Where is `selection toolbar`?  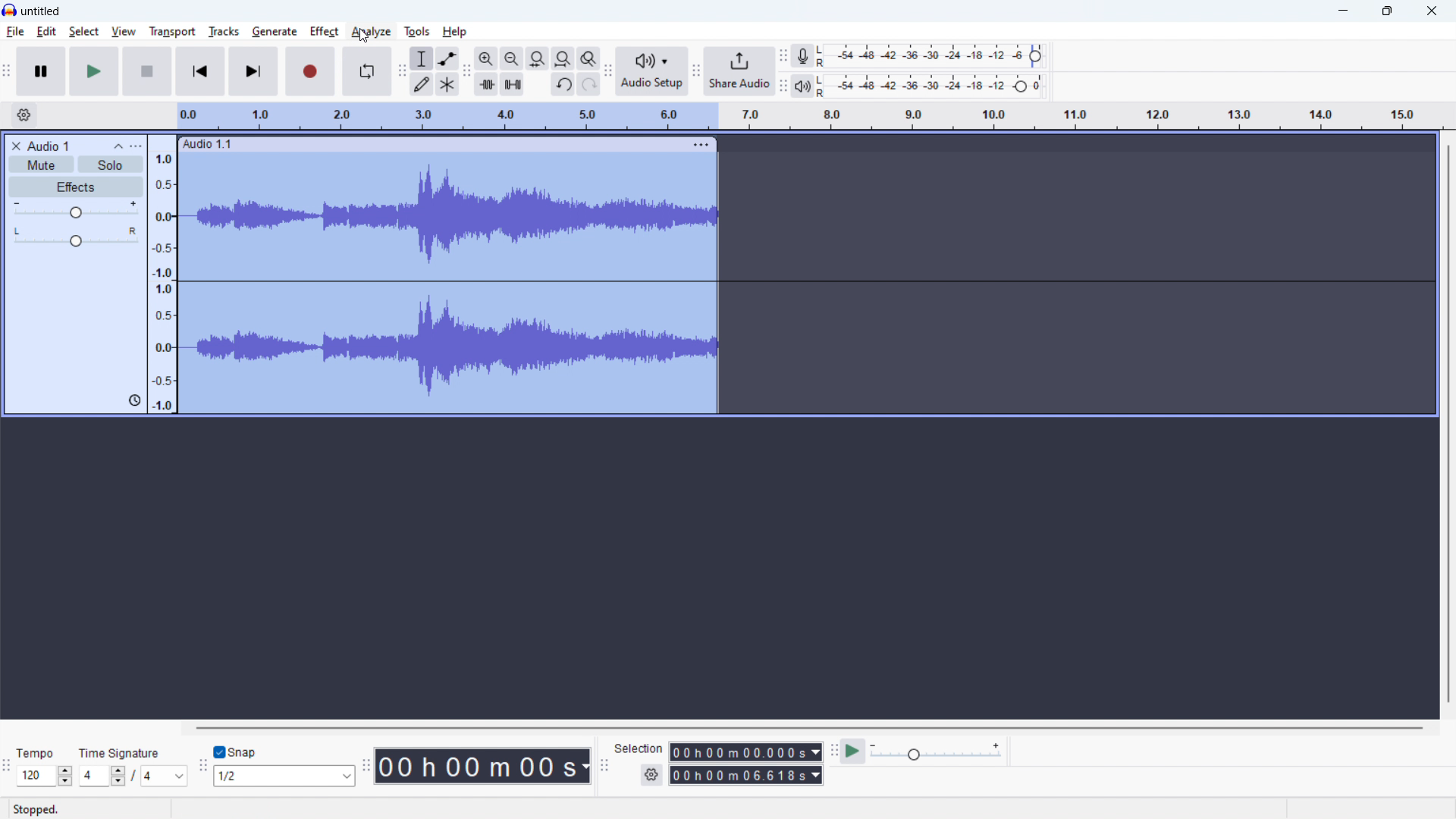
selection toolbar is located at coordinates (604, 767).